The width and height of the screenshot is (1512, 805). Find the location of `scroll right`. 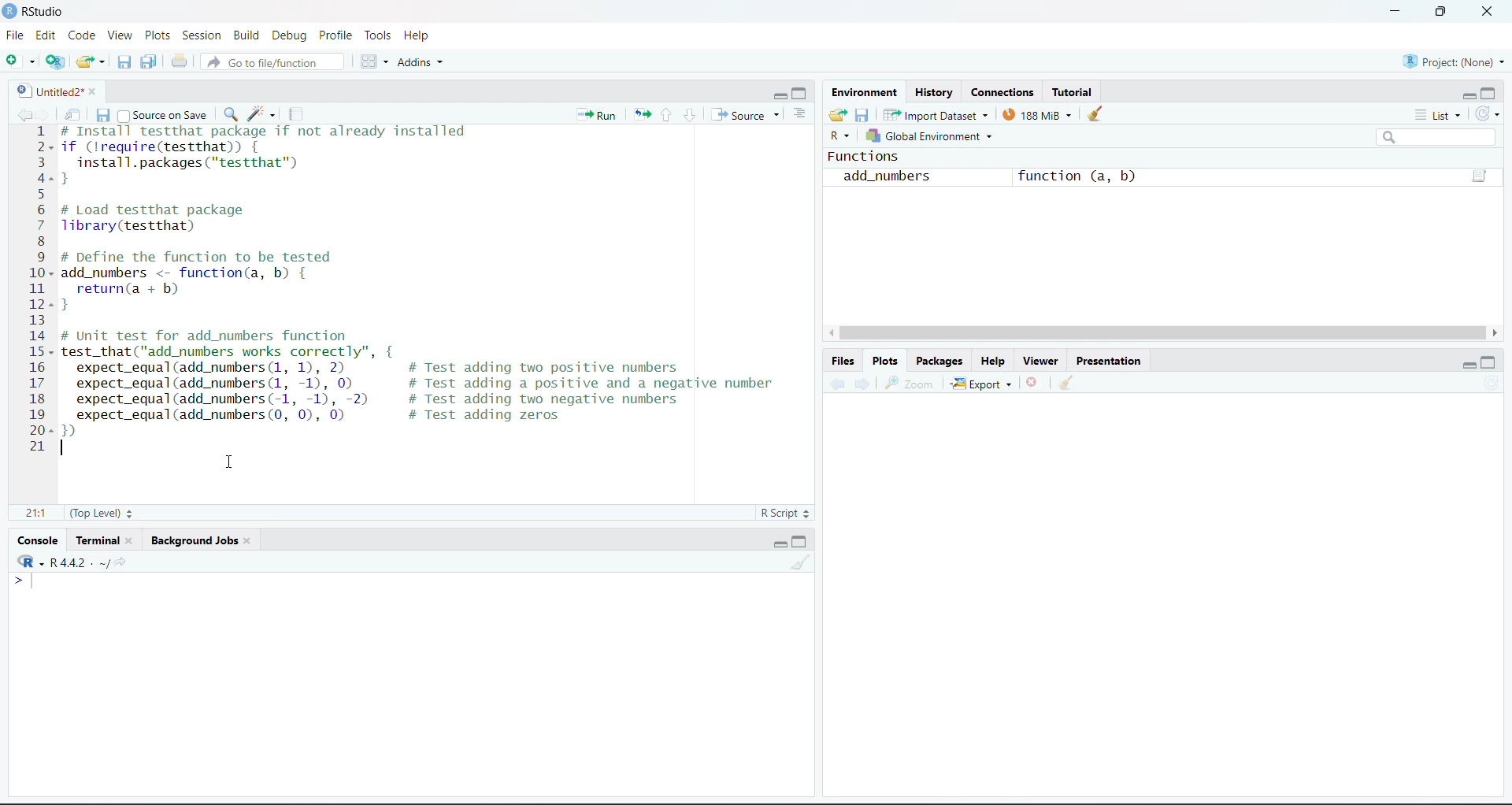

scroll right is located at coordinates (1494, 334).